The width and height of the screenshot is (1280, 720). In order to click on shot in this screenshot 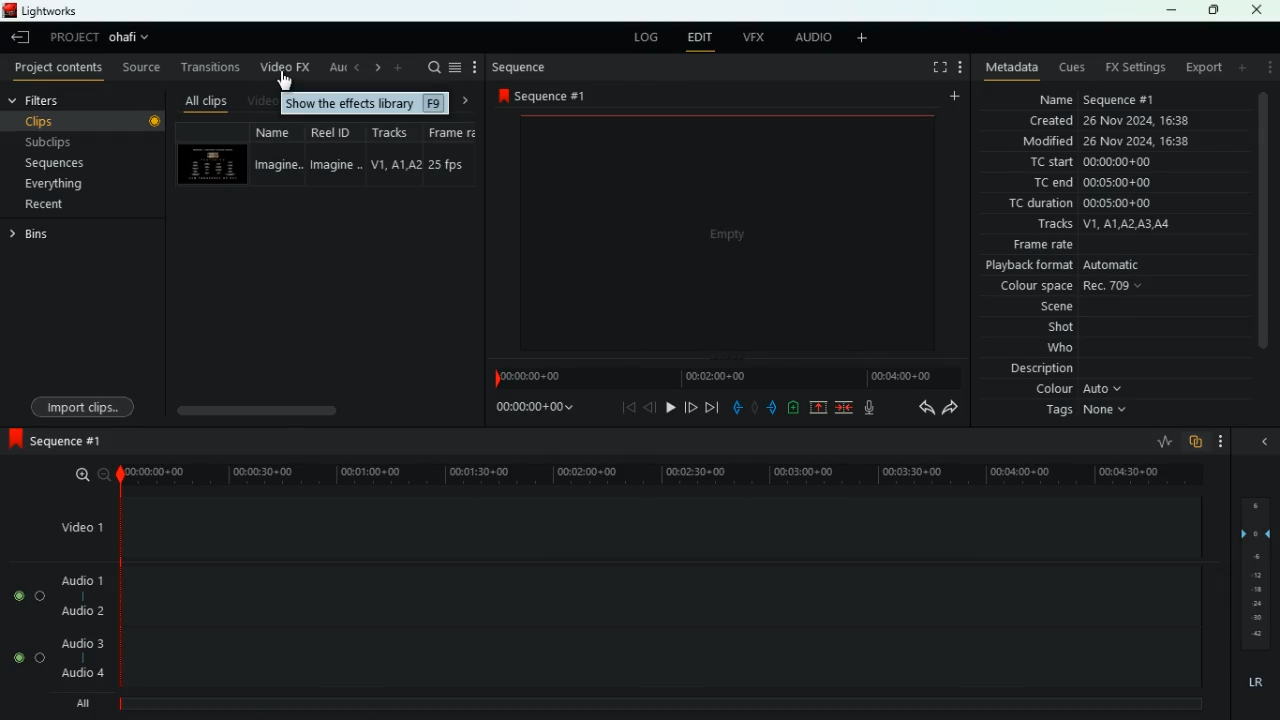, I will do `click(1045, 328)`.